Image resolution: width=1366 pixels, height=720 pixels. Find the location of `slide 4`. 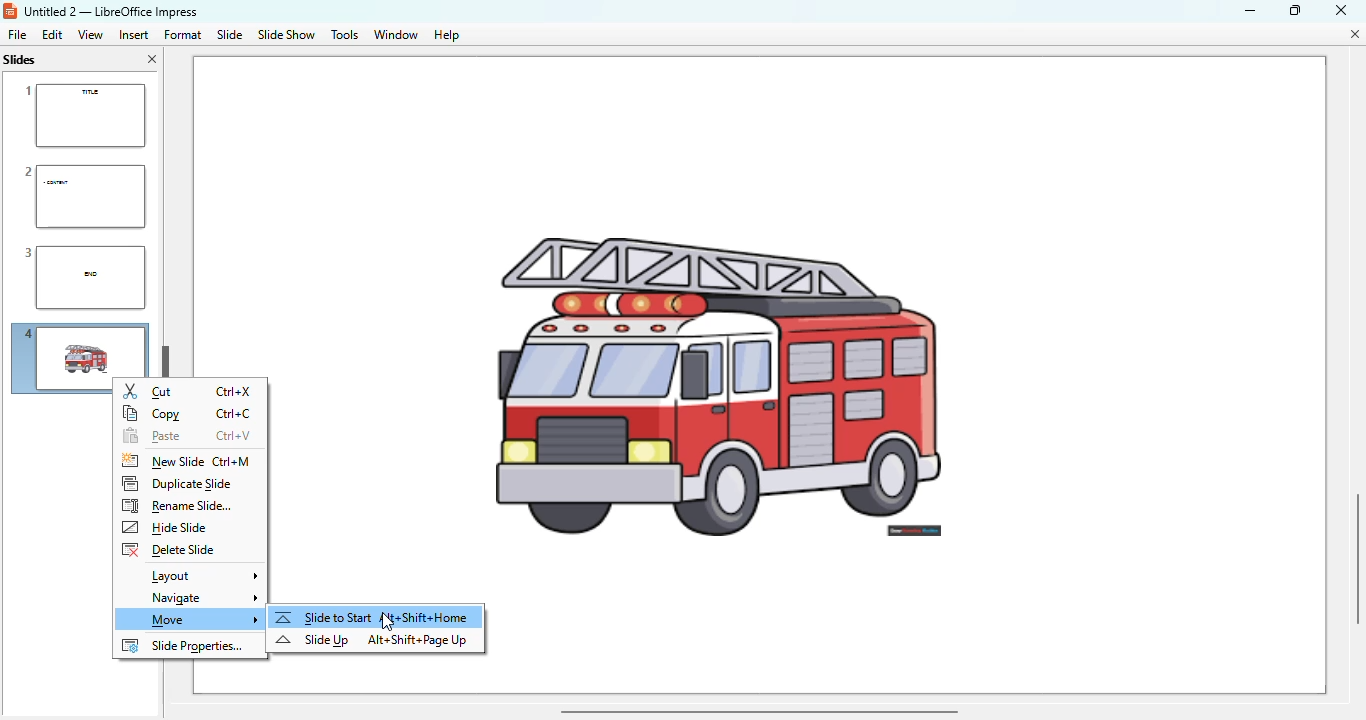

slide 4 is located at coordinates (60, 362).